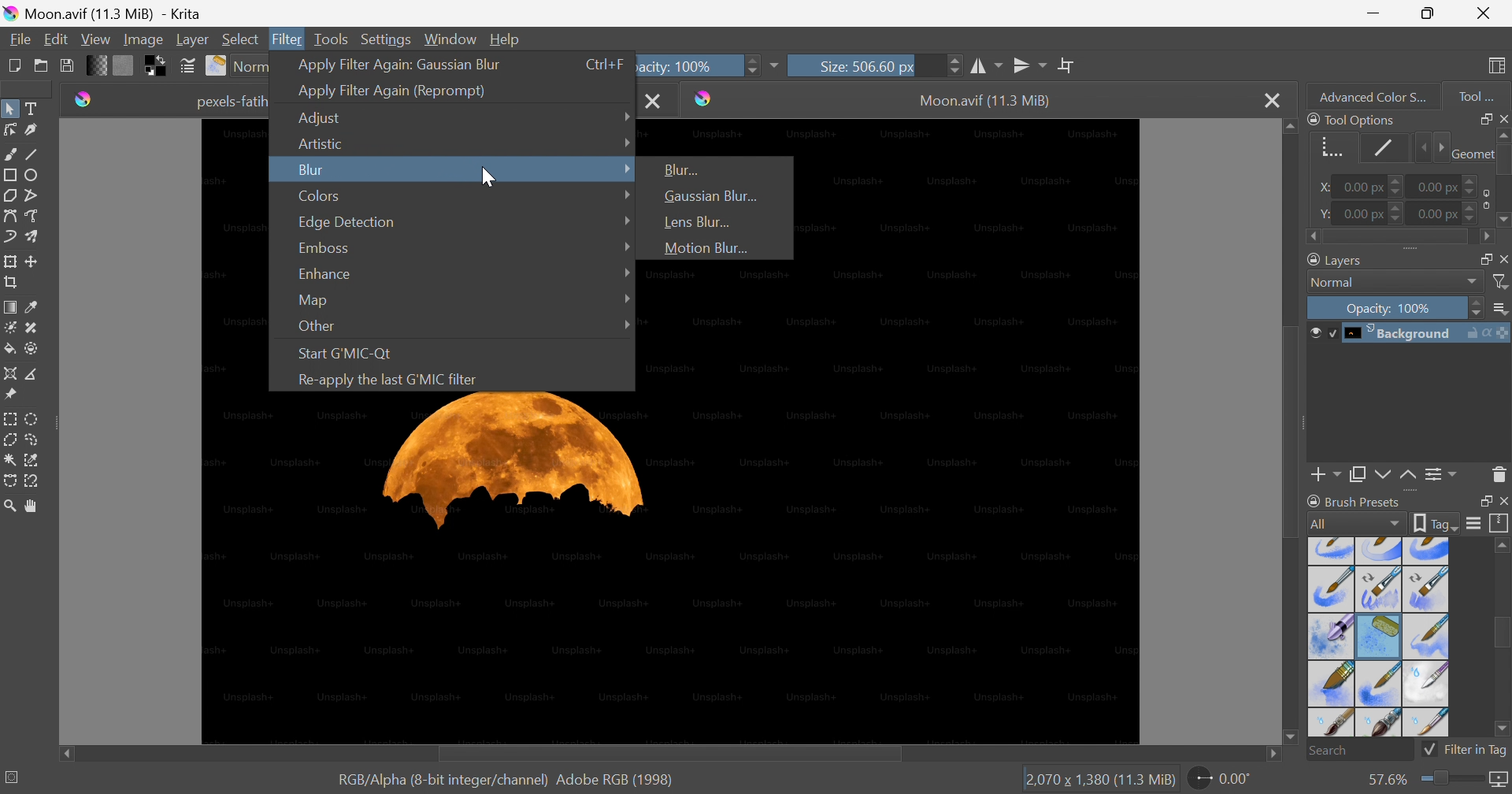 Image resolution: width=1512 pixels, height=794 pixels. What do you see at coordinates (1454, 781) in the screenshot?
I see `Slider` at bounding box center [1454, 781].